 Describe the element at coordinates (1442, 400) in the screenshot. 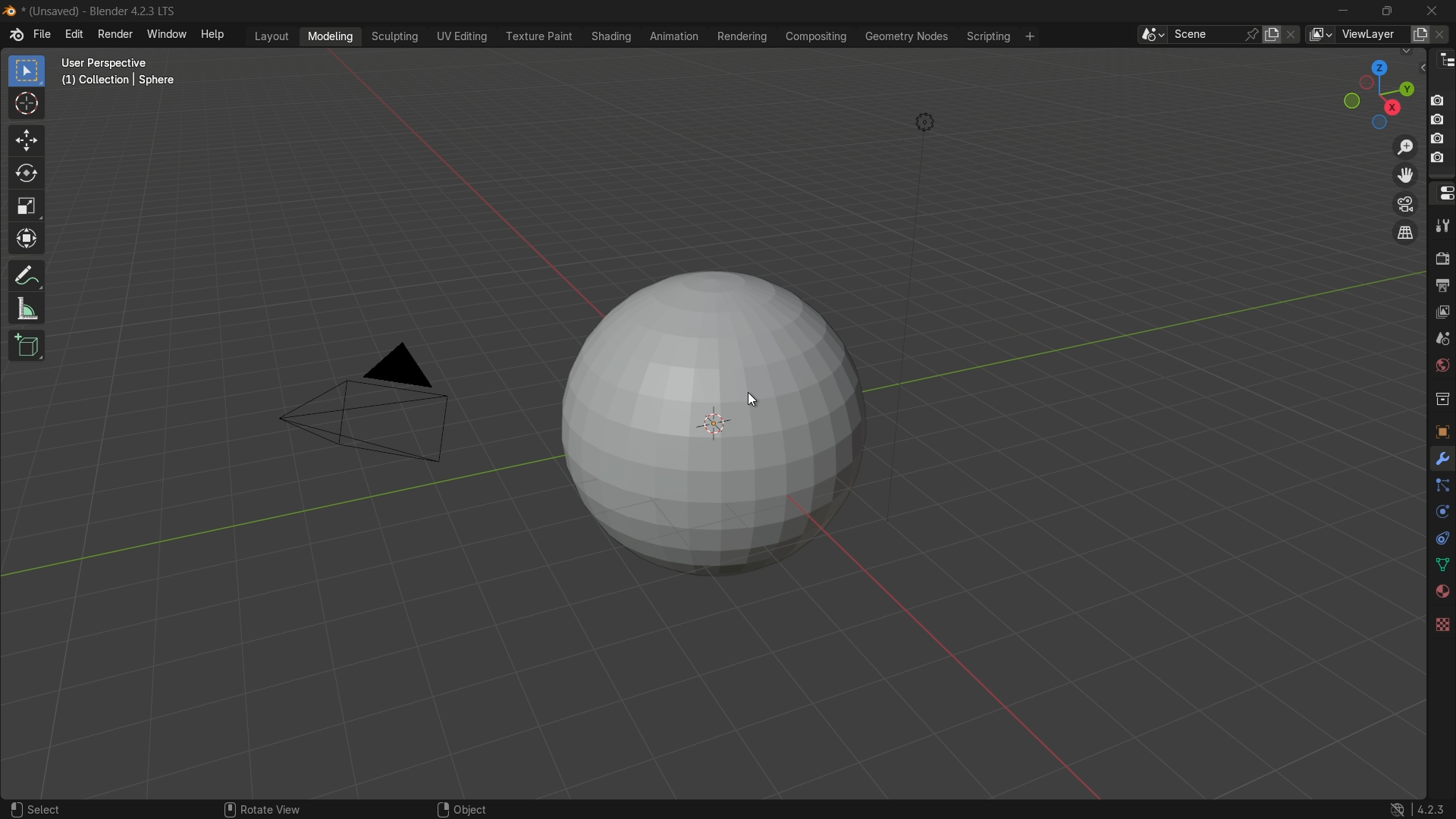

I see `collections` at that location.